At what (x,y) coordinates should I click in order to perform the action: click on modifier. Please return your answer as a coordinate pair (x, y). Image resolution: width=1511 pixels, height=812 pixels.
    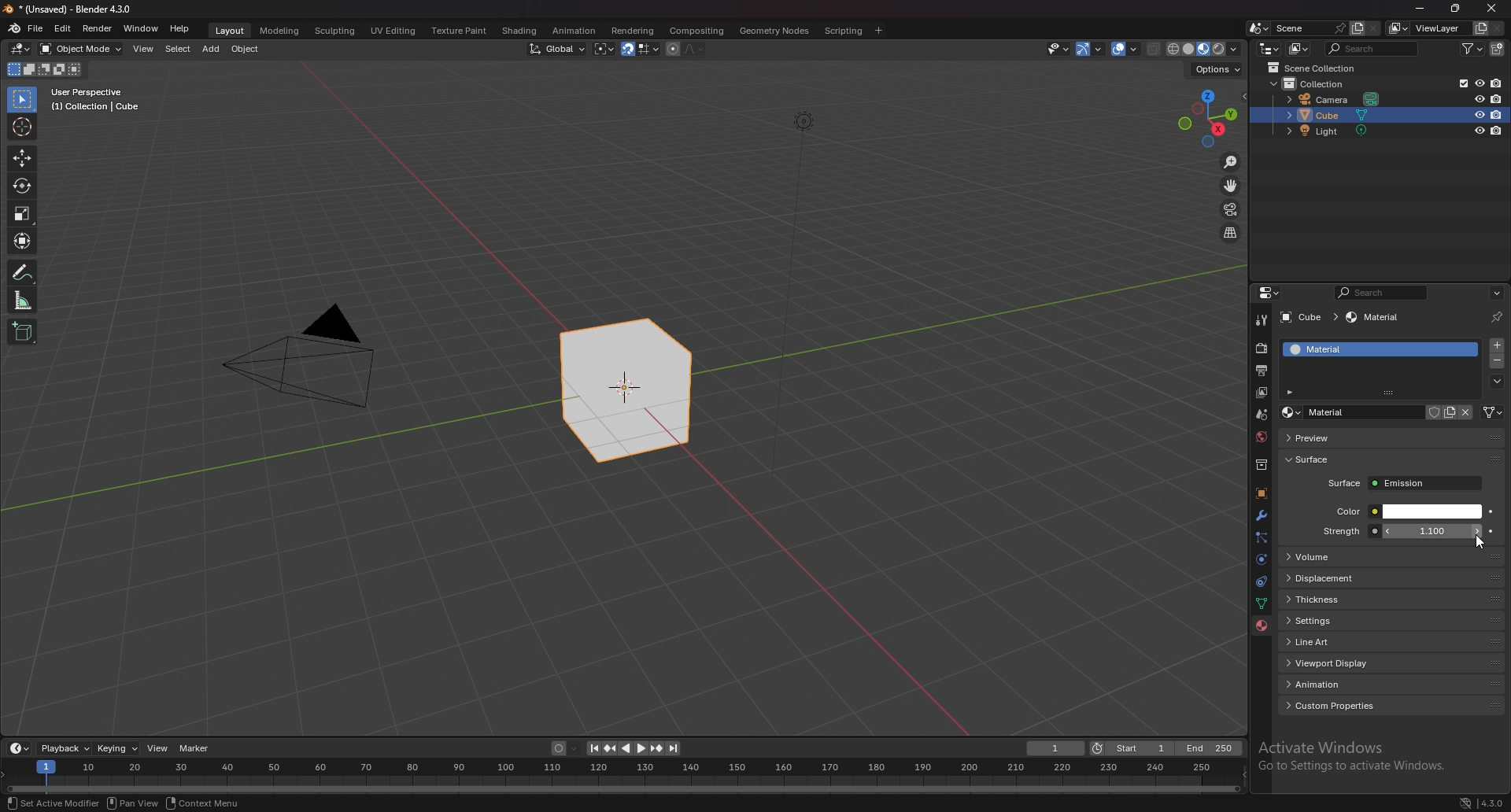
    Looking at the image, I should click on (1261, 515).